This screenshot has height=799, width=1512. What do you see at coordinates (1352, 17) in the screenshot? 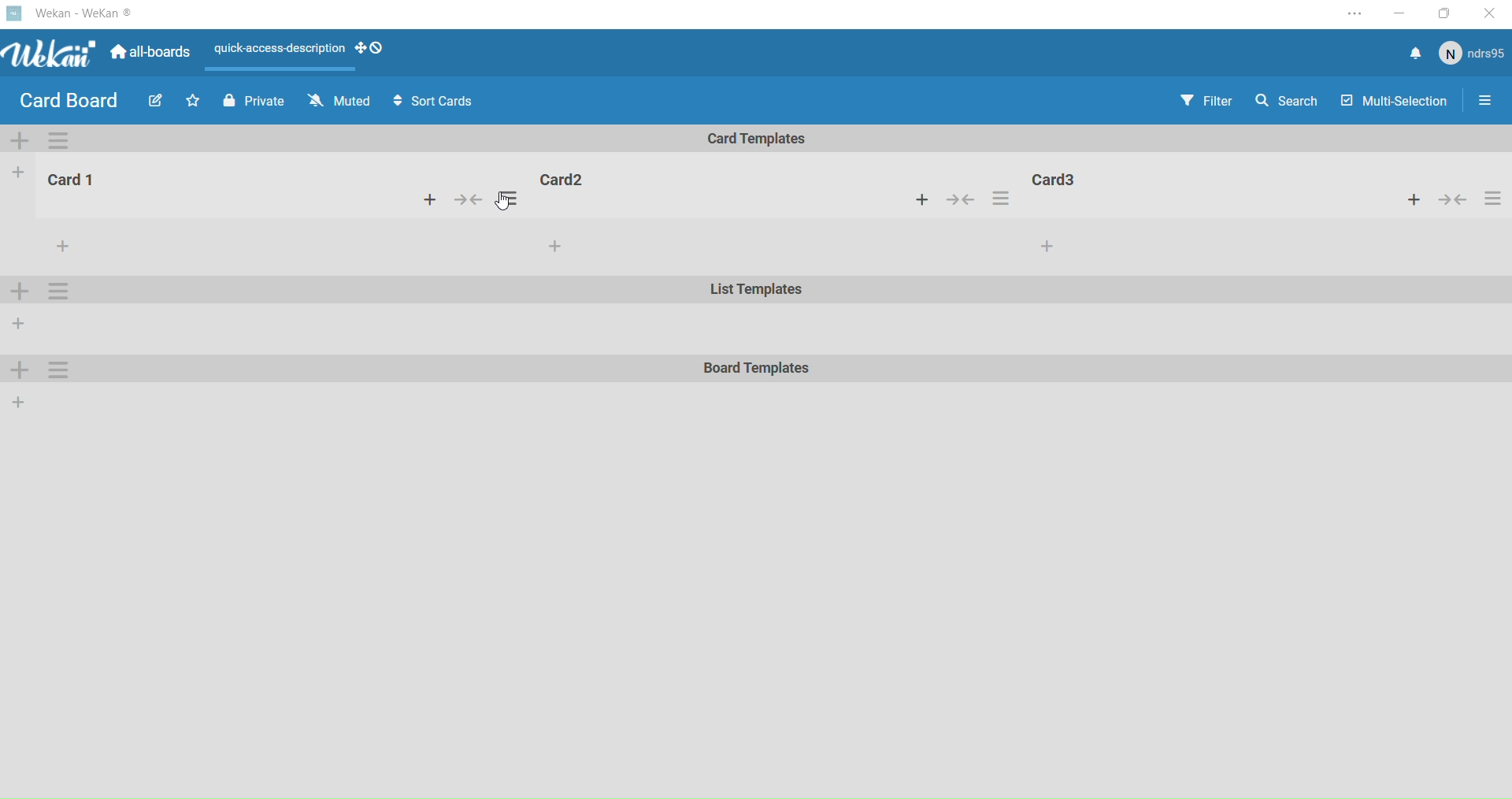
I see `Settings and more` at bounding box center [1352, 17].